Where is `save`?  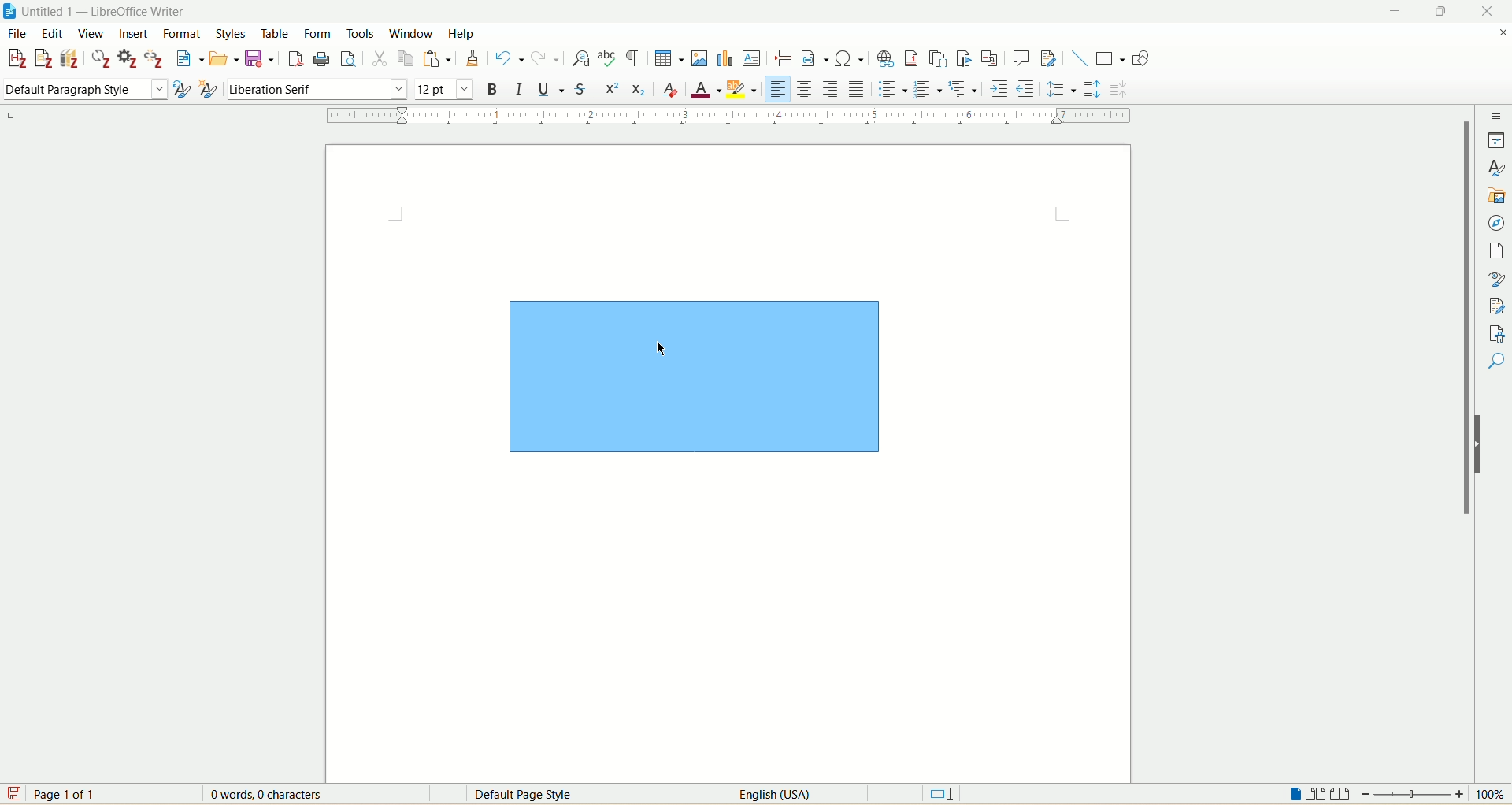 save is located at coordinates (258, 61).